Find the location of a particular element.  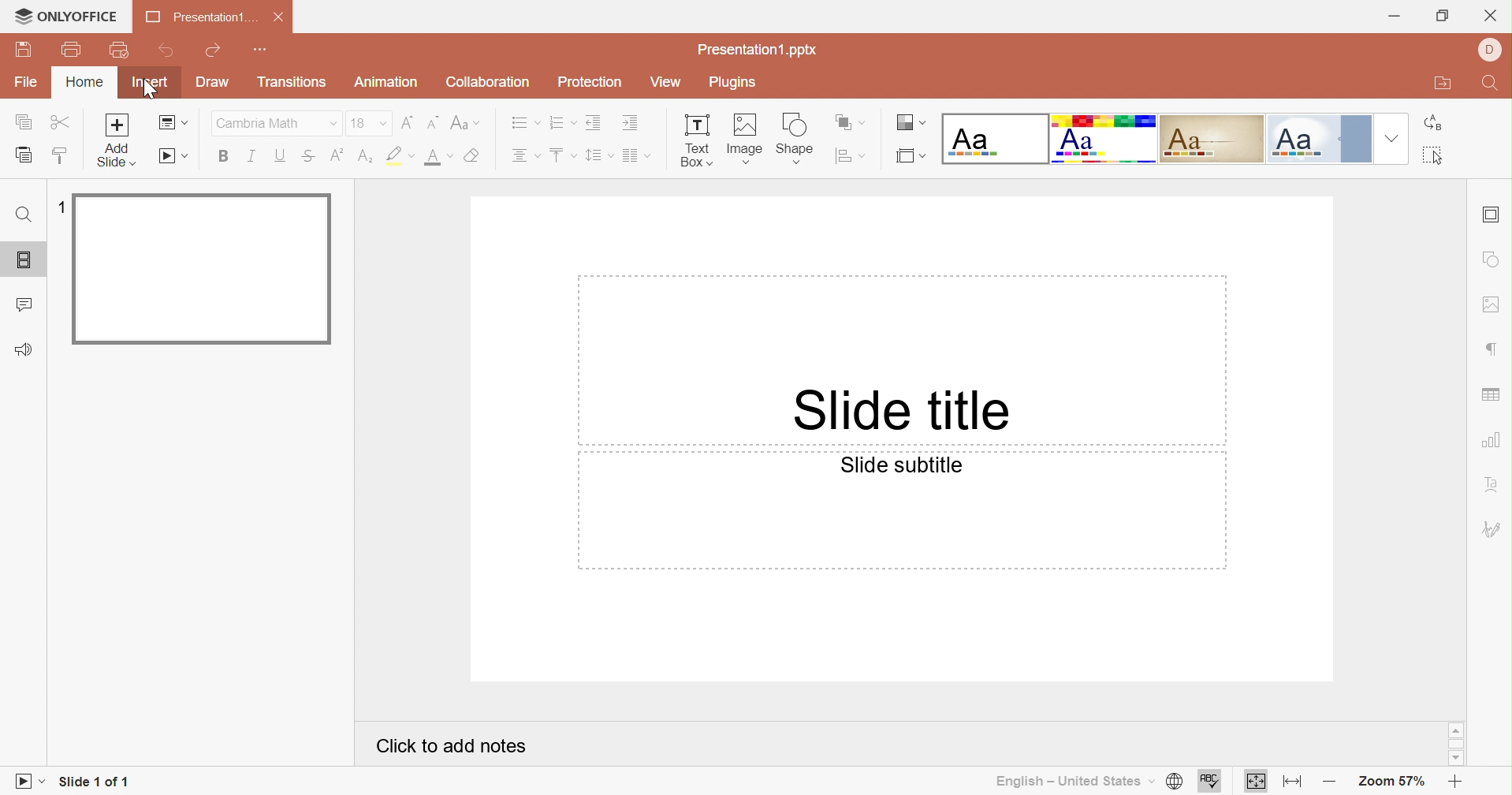

Align top is located at coordinates (564, 154).